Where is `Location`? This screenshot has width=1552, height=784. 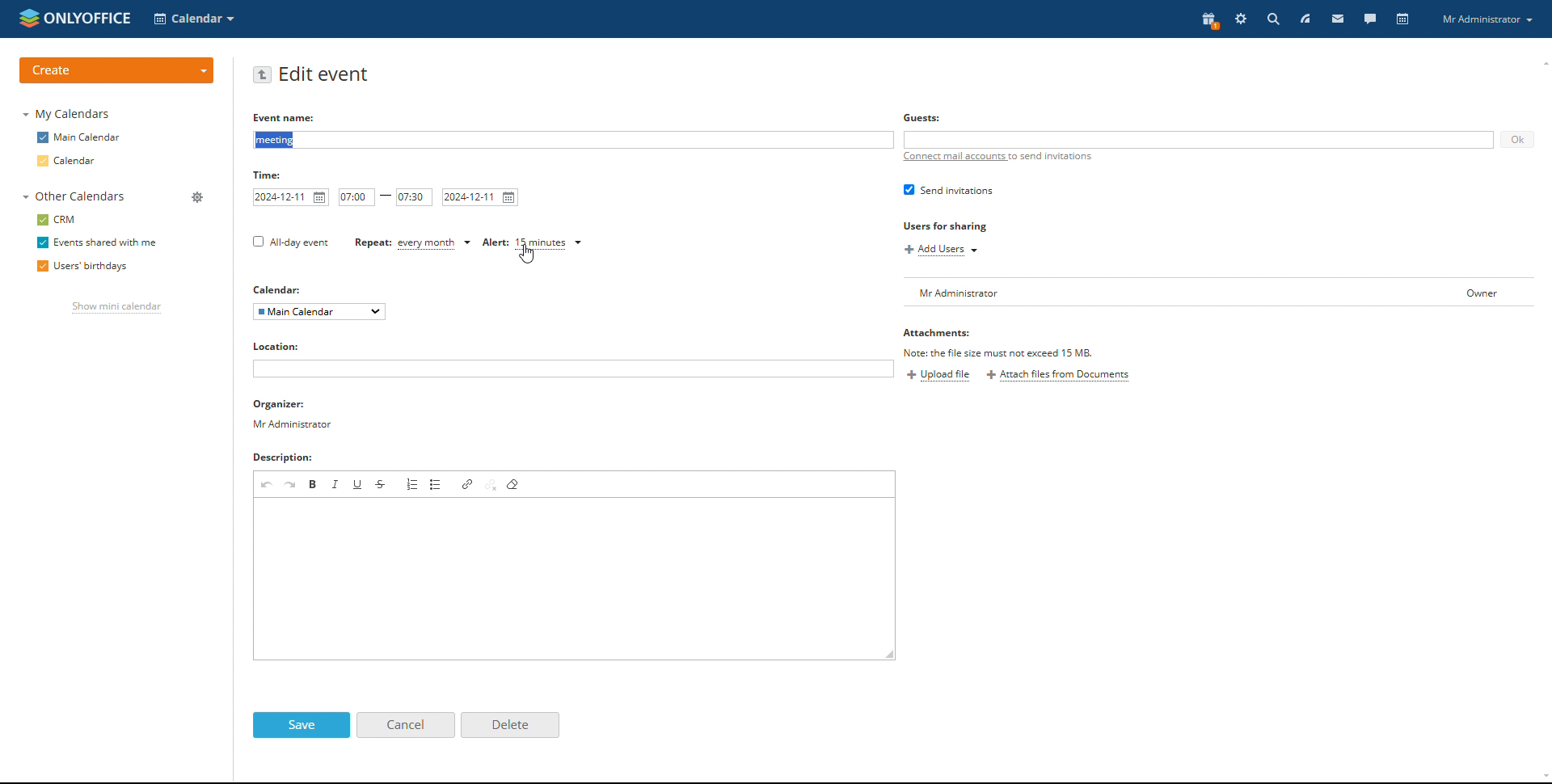
Location is located at coordinates (279, 348).